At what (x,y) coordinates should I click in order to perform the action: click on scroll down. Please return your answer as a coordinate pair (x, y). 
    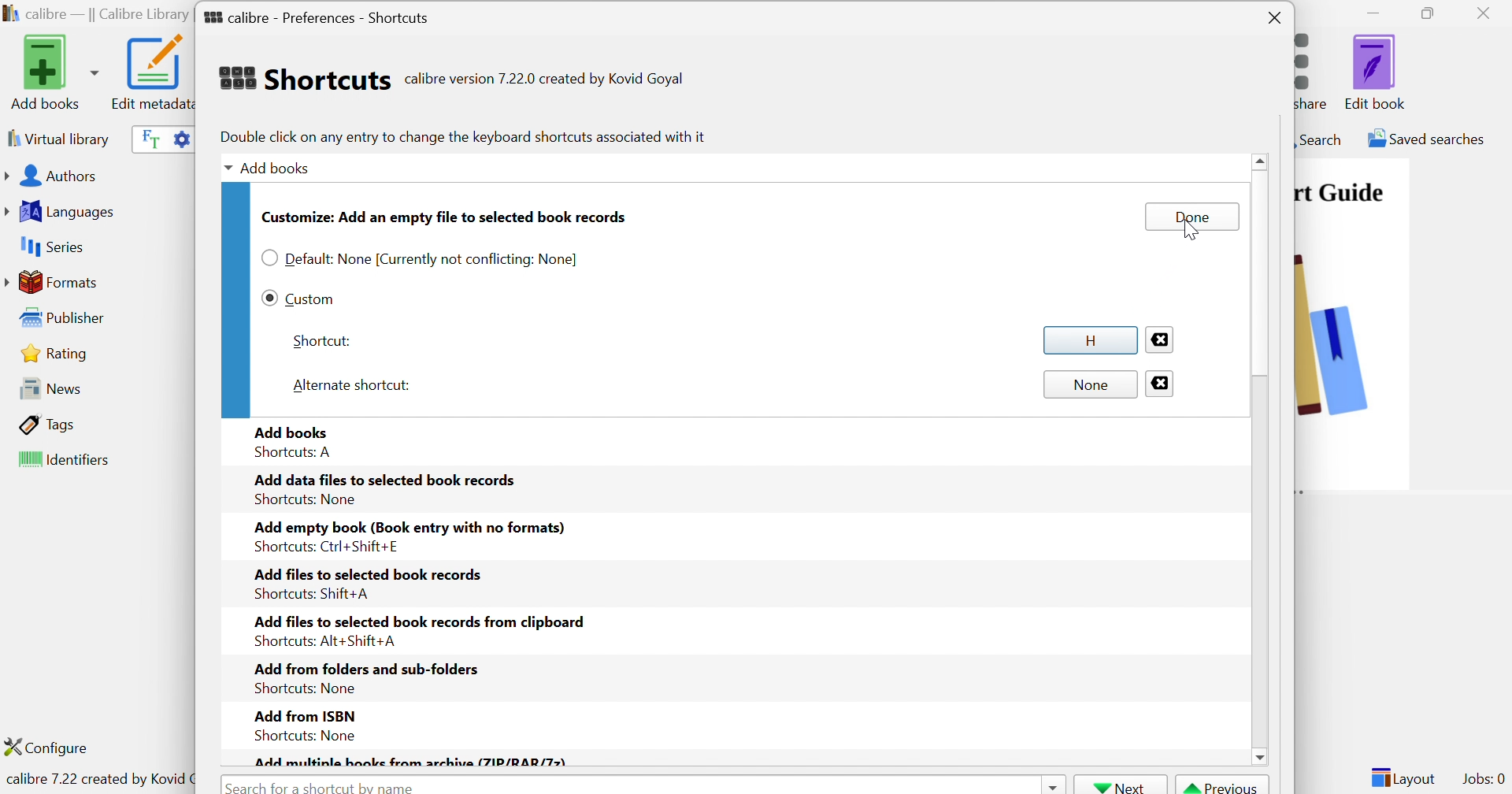
    Looking at the image, I should click on (1259, 757).